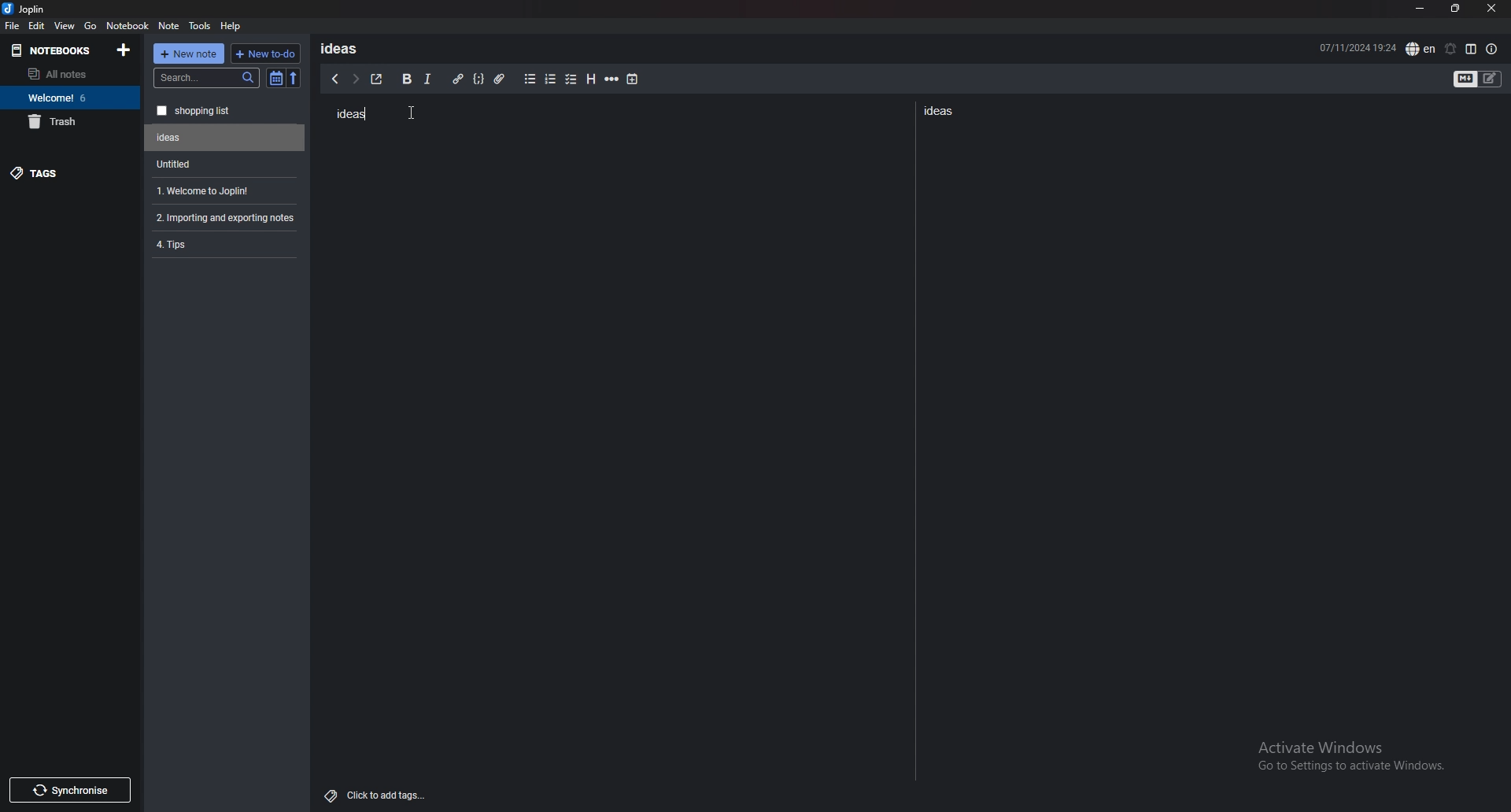 This screenshot has height=812, width=1511. Describe the element at coordinates (377, 79) in the screenshot. I see `toggle external editor` at that location.